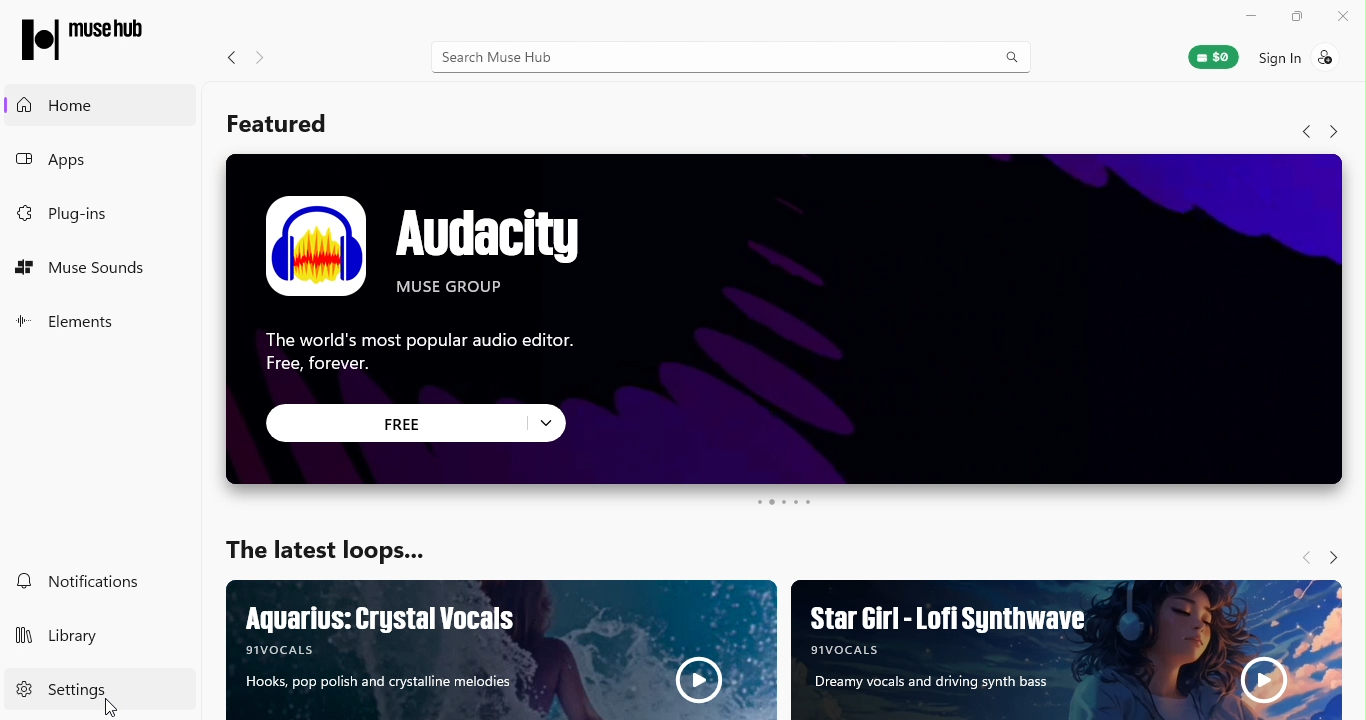 The height and width of the screenshot is (720, 1366). What do you see at coordinates (504, 651) in the screenshot?
I see `Ad` at bounding box center [504, 651].